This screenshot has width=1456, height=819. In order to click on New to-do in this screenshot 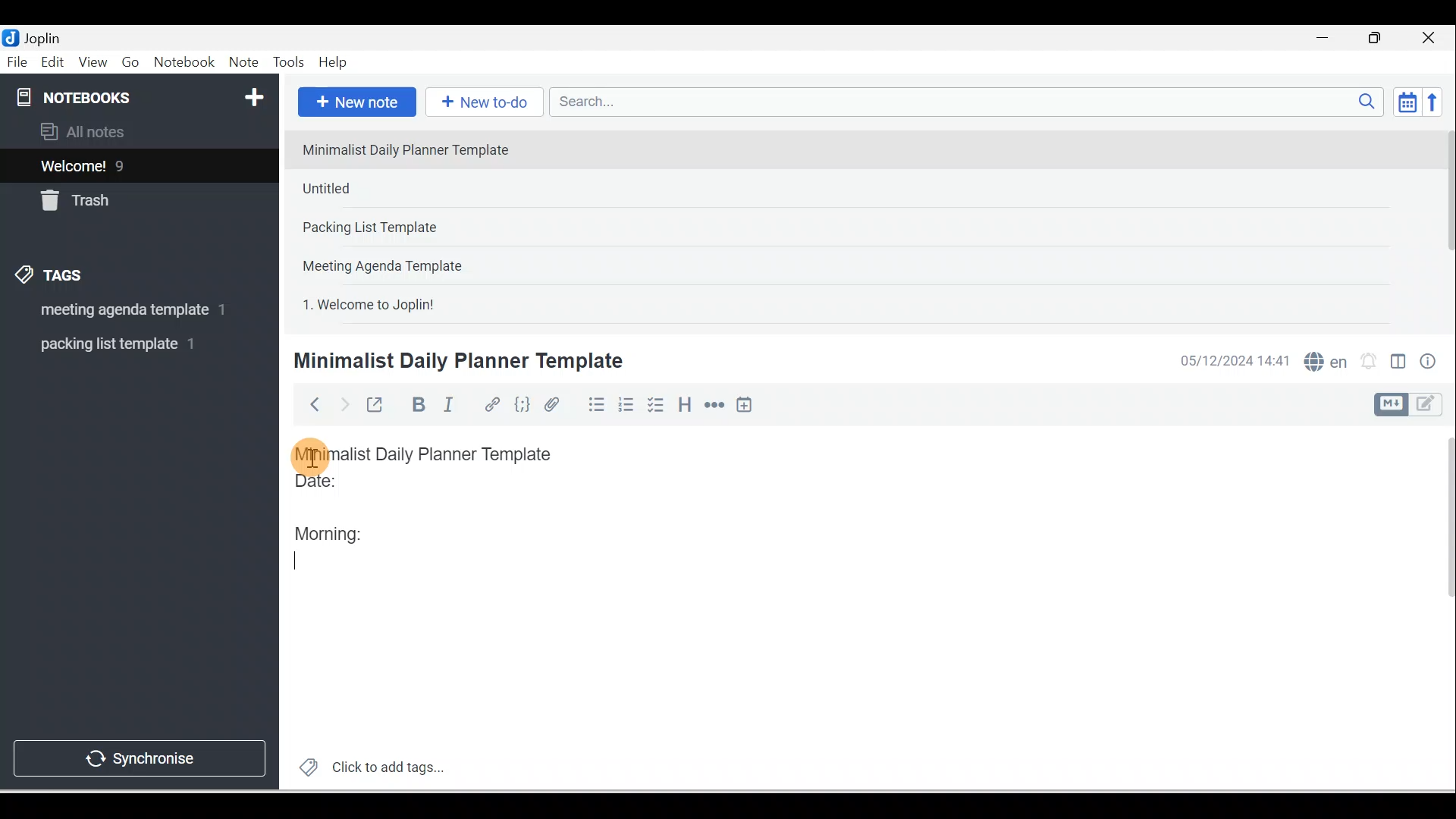, I will do `click(481, 103)`.